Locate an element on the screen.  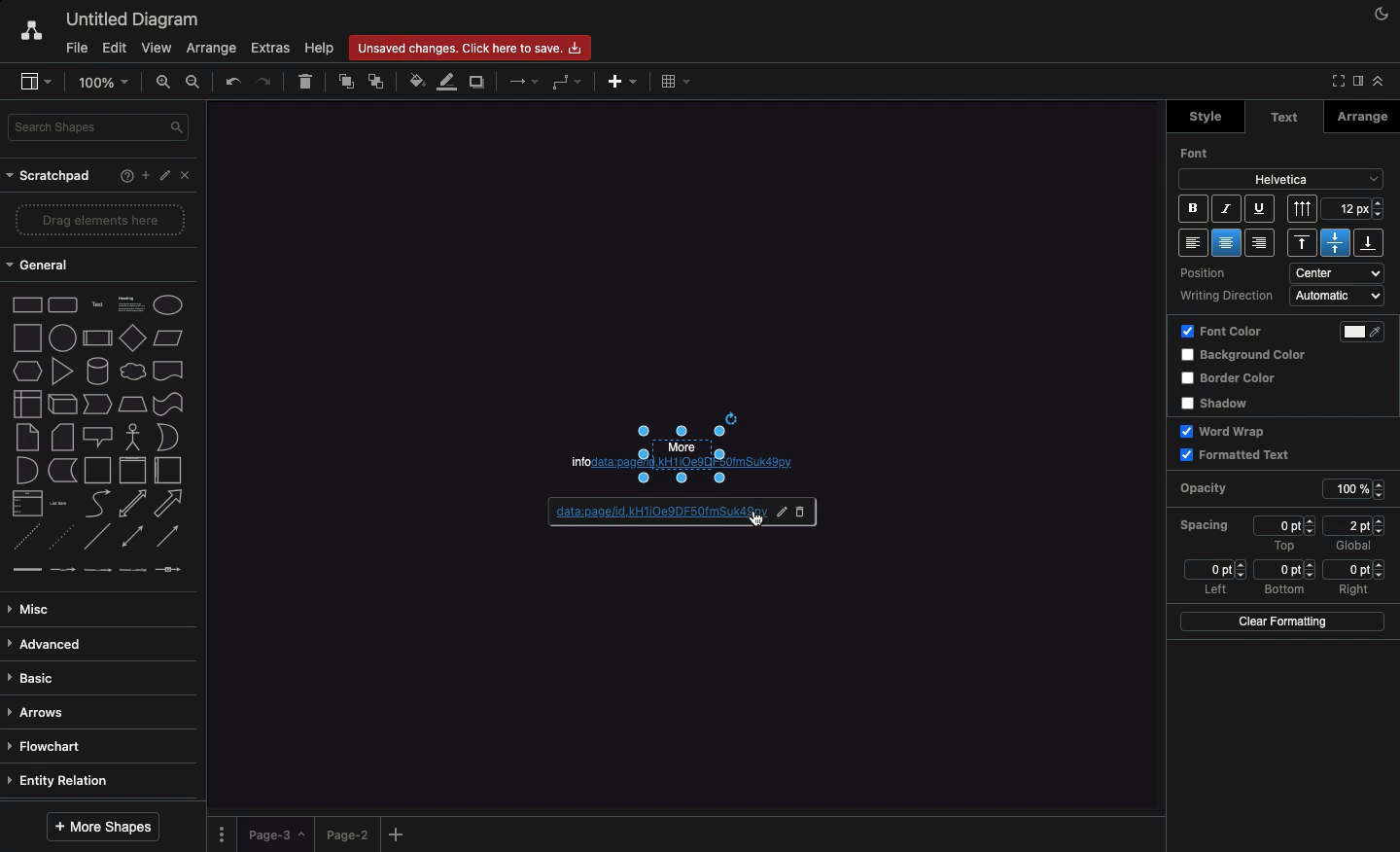
list item is located at coordinates (59, 504).